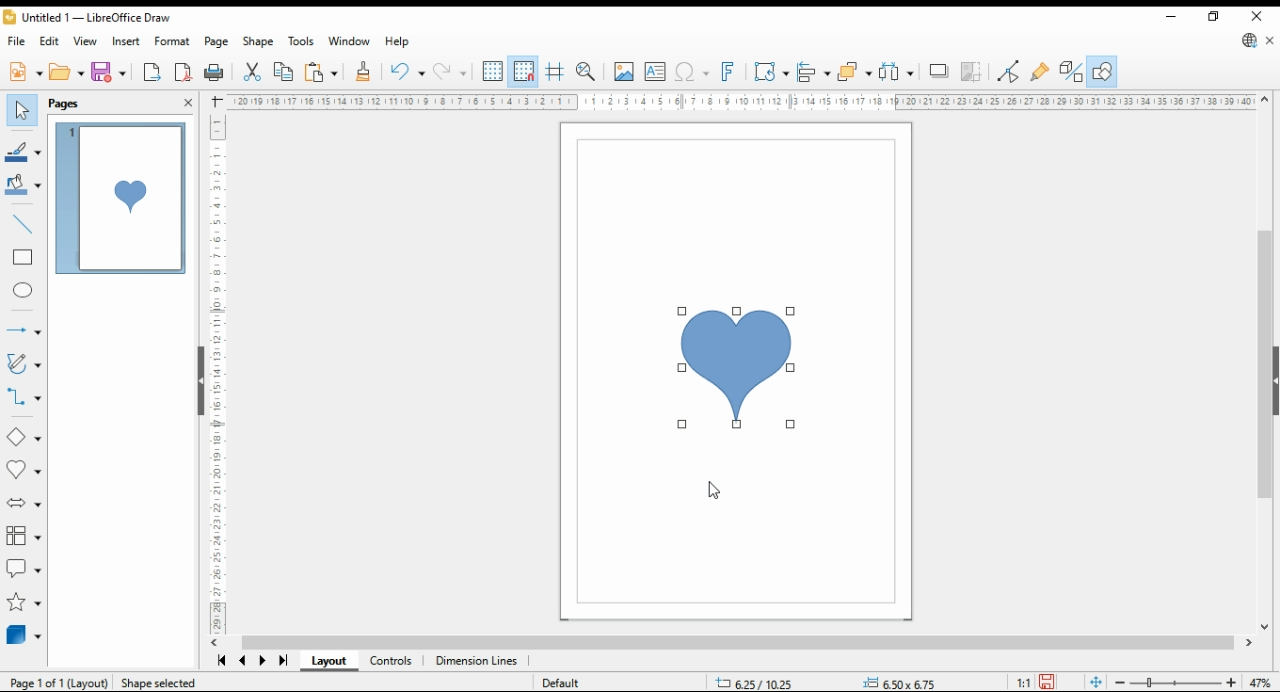 The height and width of the screenshot is (692, 1280). What do you see at coordinates (855, 72) in the screenshot?
I see `arrange` at bounding box center [855, 72].